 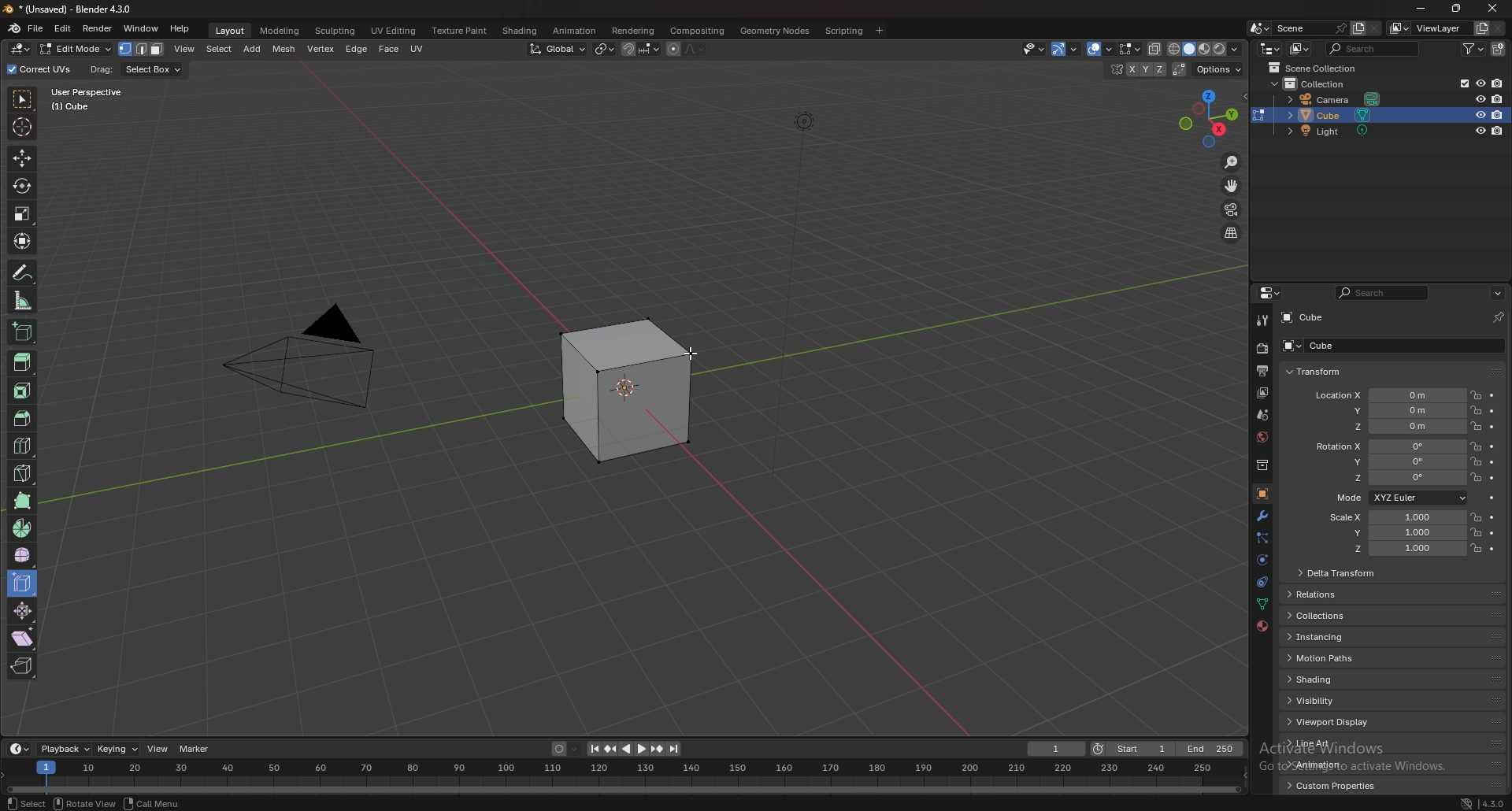 What do you see at coordinates (1265, 413) in the screenshot?
I see `scene` at bounding box center [1265, 413].